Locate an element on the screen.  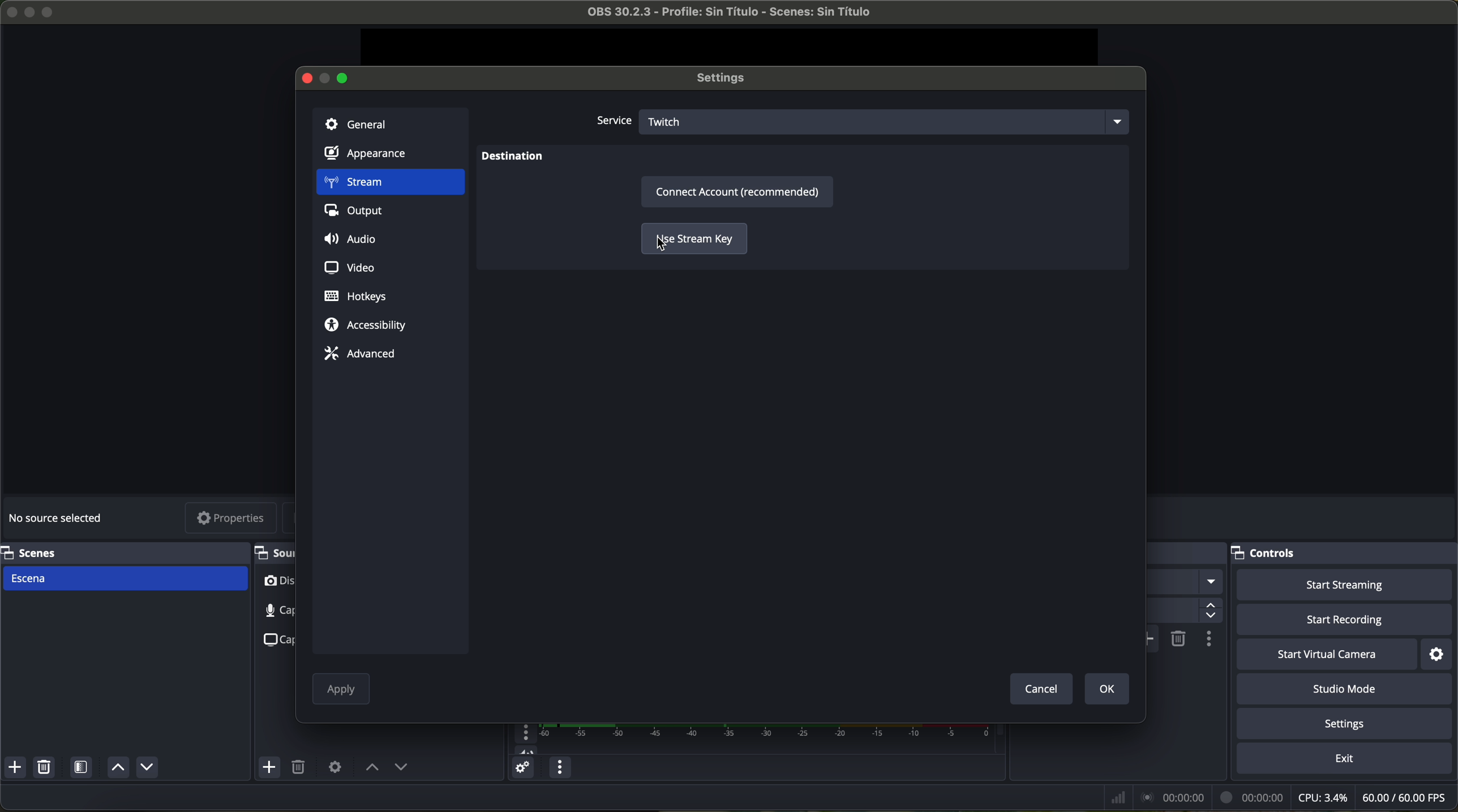
output is located at coordinates (358, 213).